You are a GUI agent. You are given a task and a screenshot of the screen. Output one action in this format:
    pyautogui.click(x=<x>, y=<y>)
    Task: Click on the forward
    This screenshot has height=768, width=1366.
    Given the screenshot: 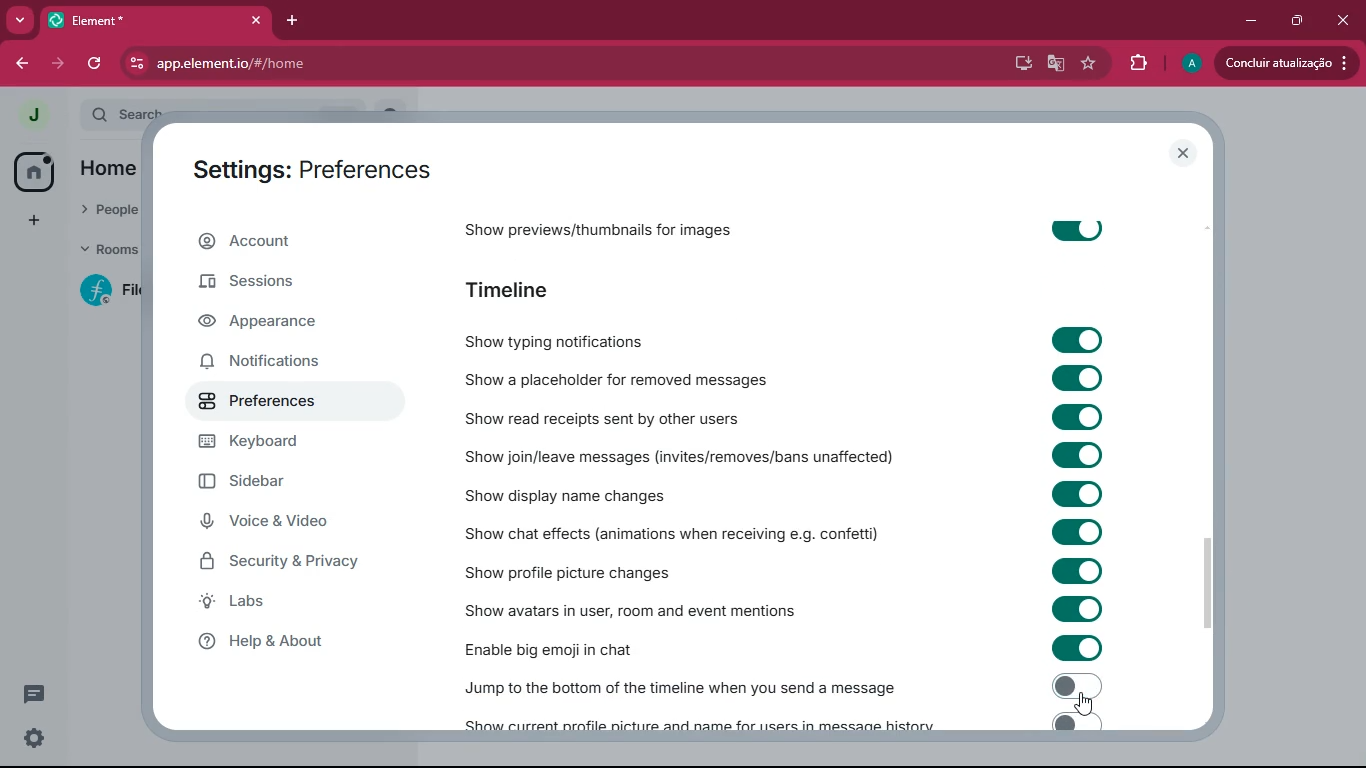 What is the action you would take?
    pyautogui.click(x=56, y=64)
    